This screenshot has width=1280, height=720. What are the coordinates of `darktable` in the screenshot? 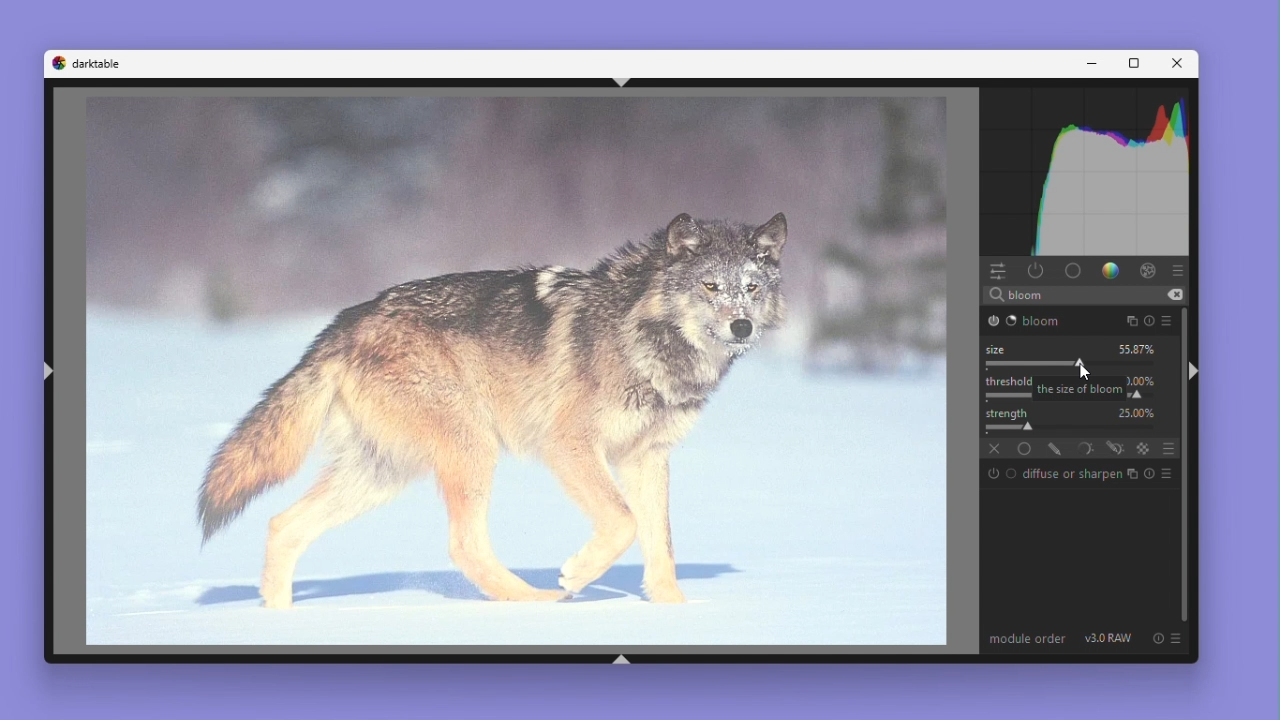 It's located at (101, 64).